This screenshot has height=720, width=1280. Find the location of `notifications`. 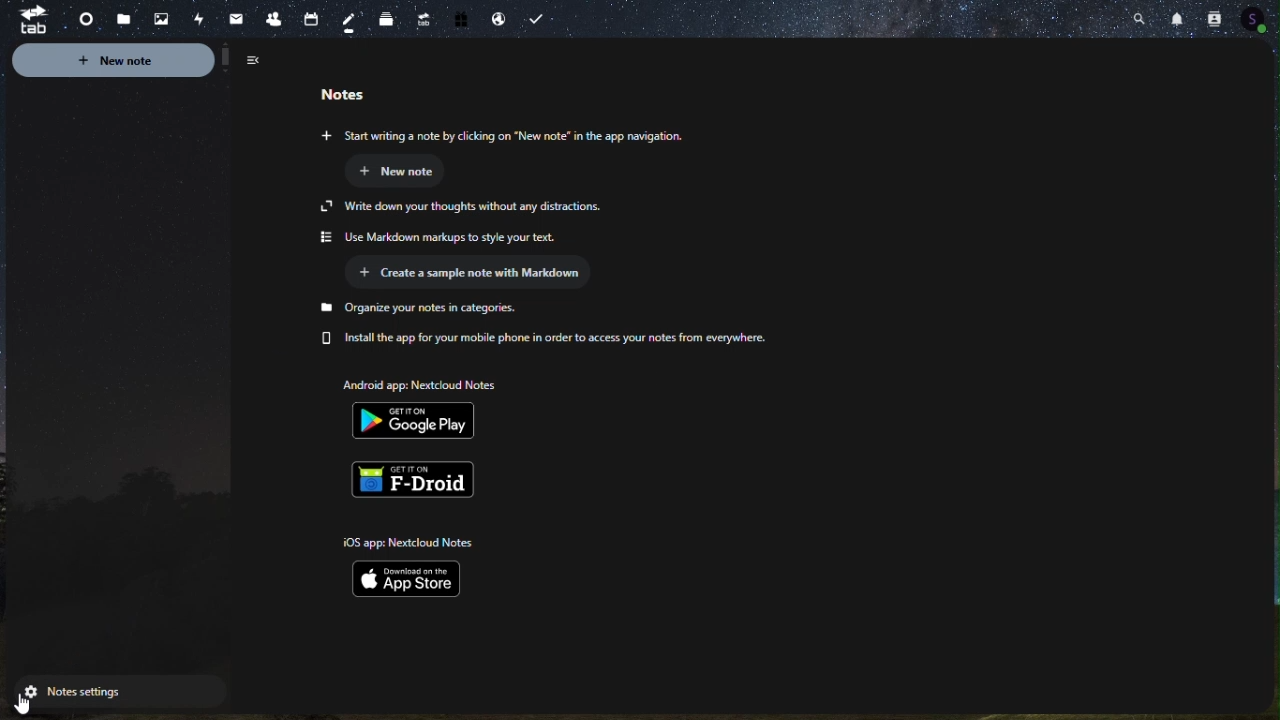

notifications is located at coordinates (1175, 16).